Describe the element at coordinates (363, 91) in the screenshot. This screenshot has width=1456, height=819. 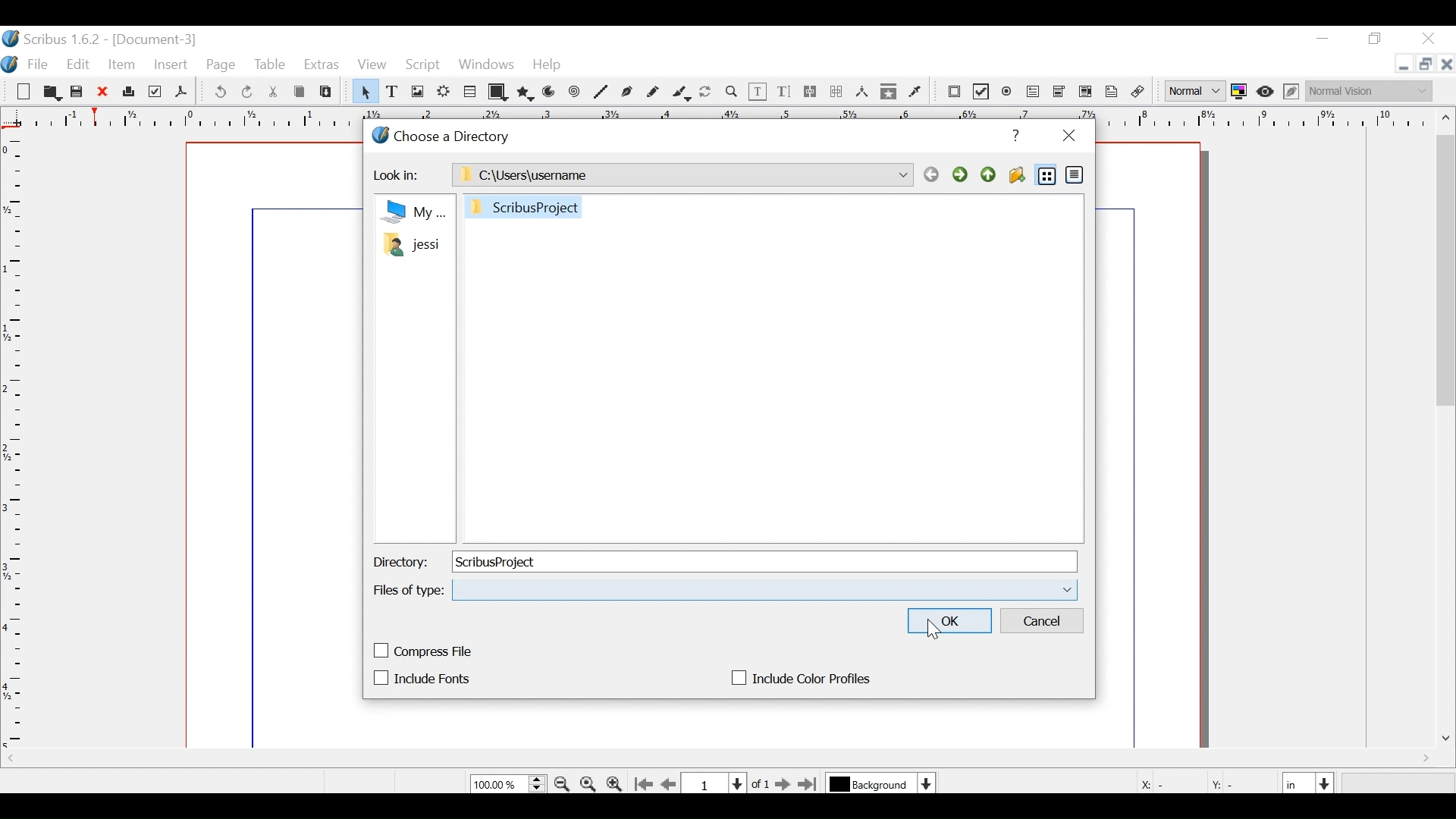
I see `Select ` at that location.